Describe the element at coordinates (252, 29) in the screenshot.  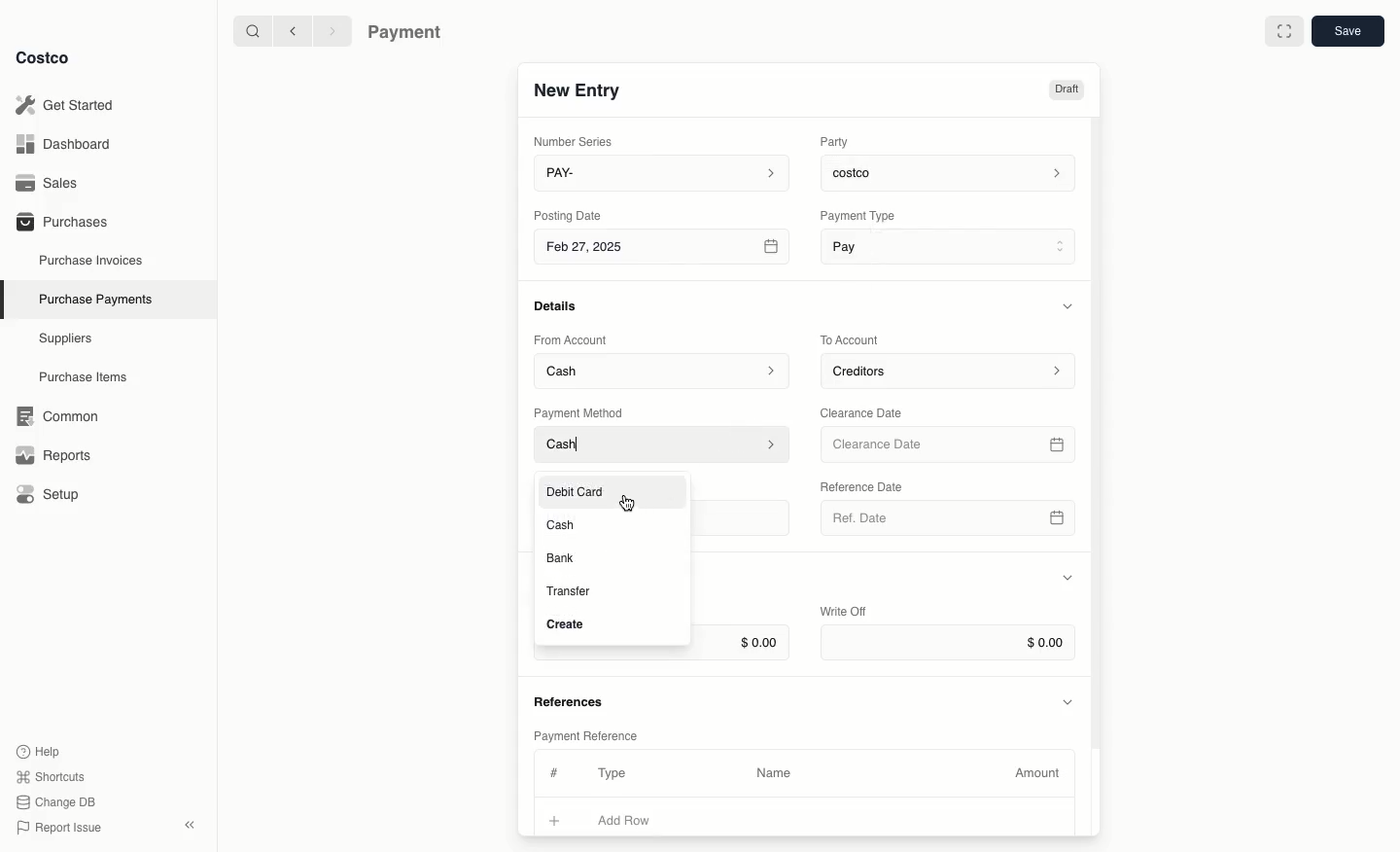
I see `Search` at that location.